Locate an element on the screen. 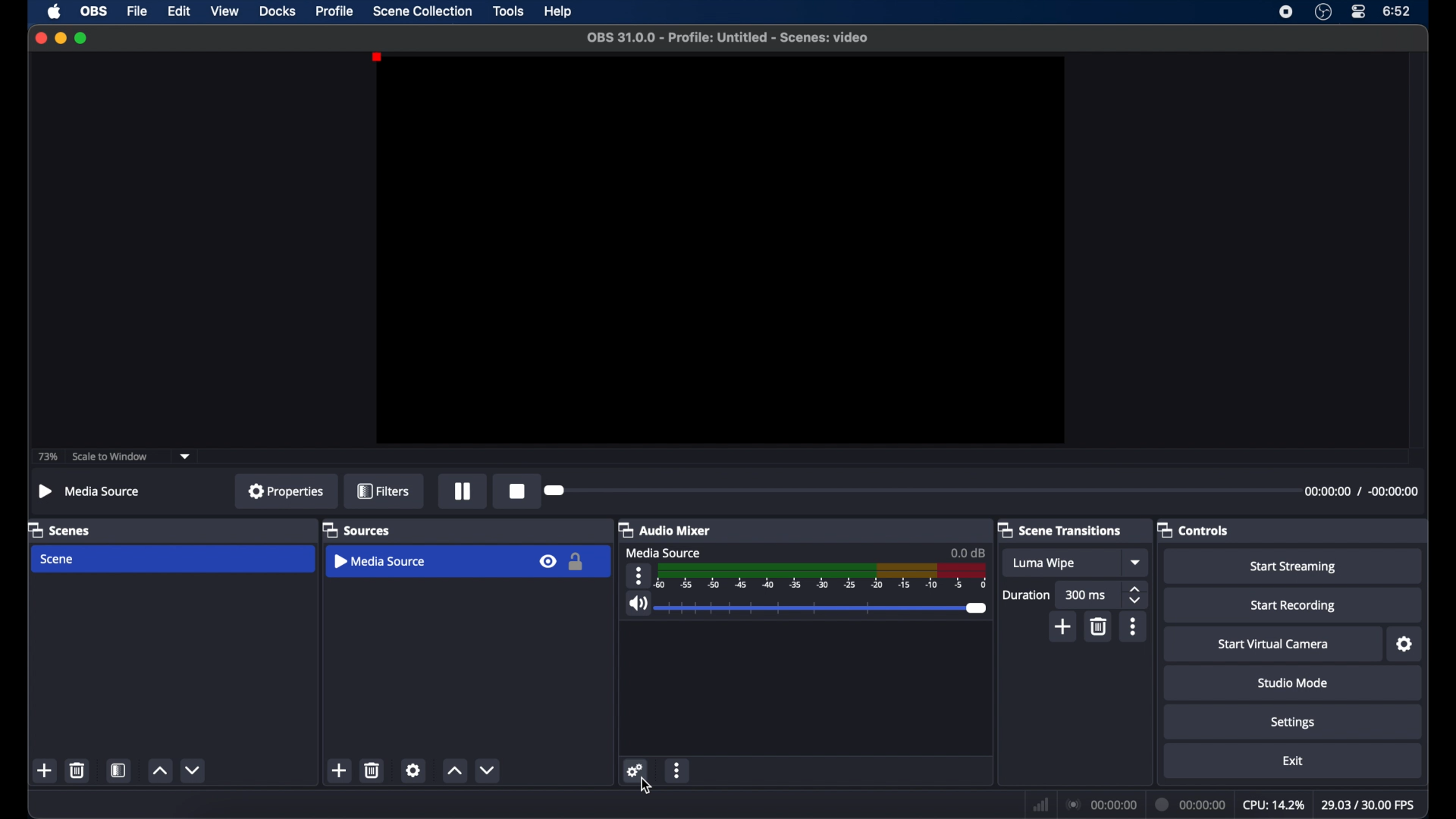 This screenshot has height=819, width=1456. record is located at coordinates (517, 492).